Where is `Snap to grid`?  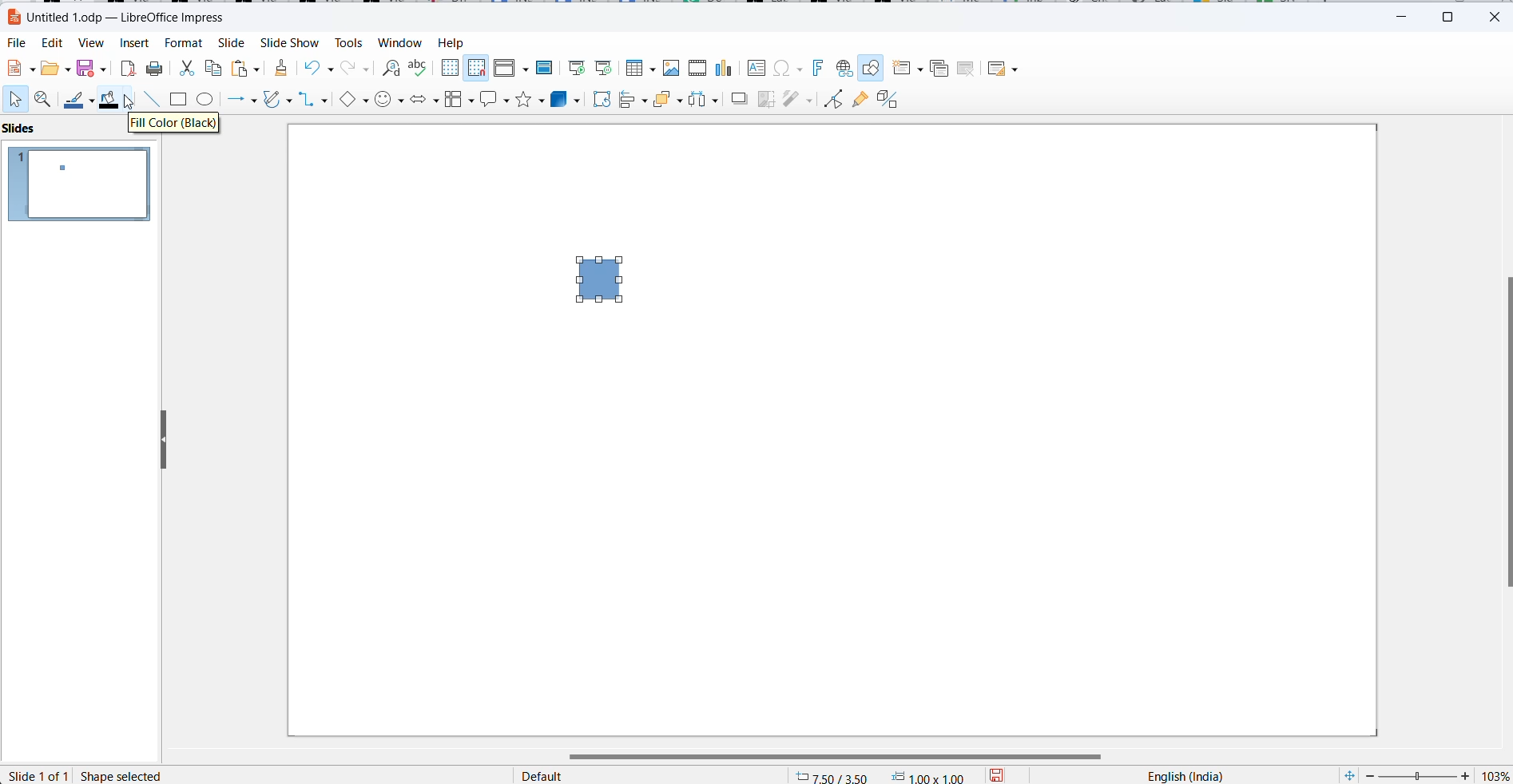 Snap to grid is located at coordinates (477, 68).